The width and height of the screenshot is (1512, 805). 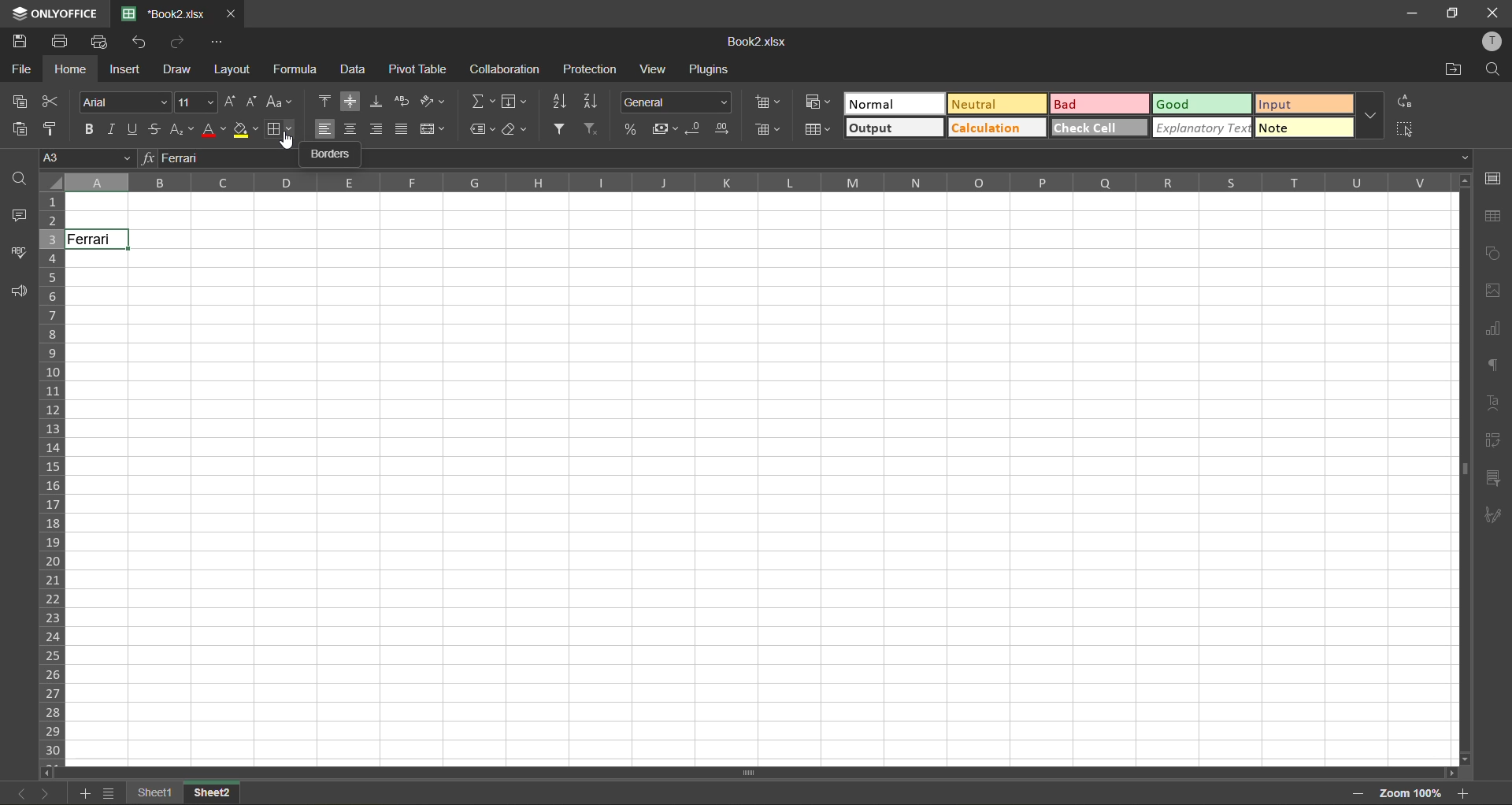 What do you see at coordinates (1462, 793) in the screenshot?
I see `zoom in` at bounding box center [1462, 793].